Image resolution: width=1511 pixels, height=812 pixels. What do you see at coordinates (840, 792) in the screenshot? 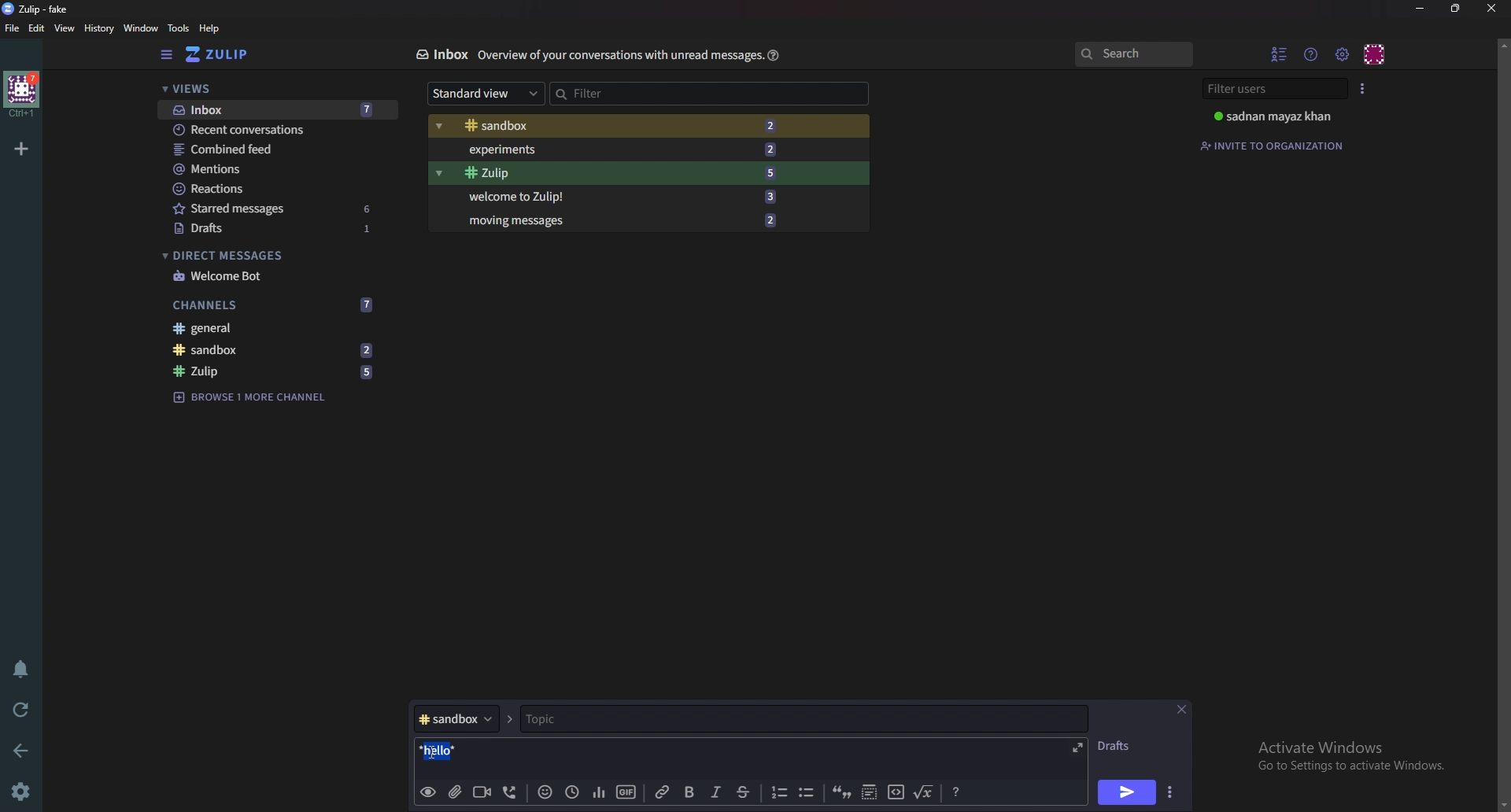
I see `quote` at bounding box center [840, 792].